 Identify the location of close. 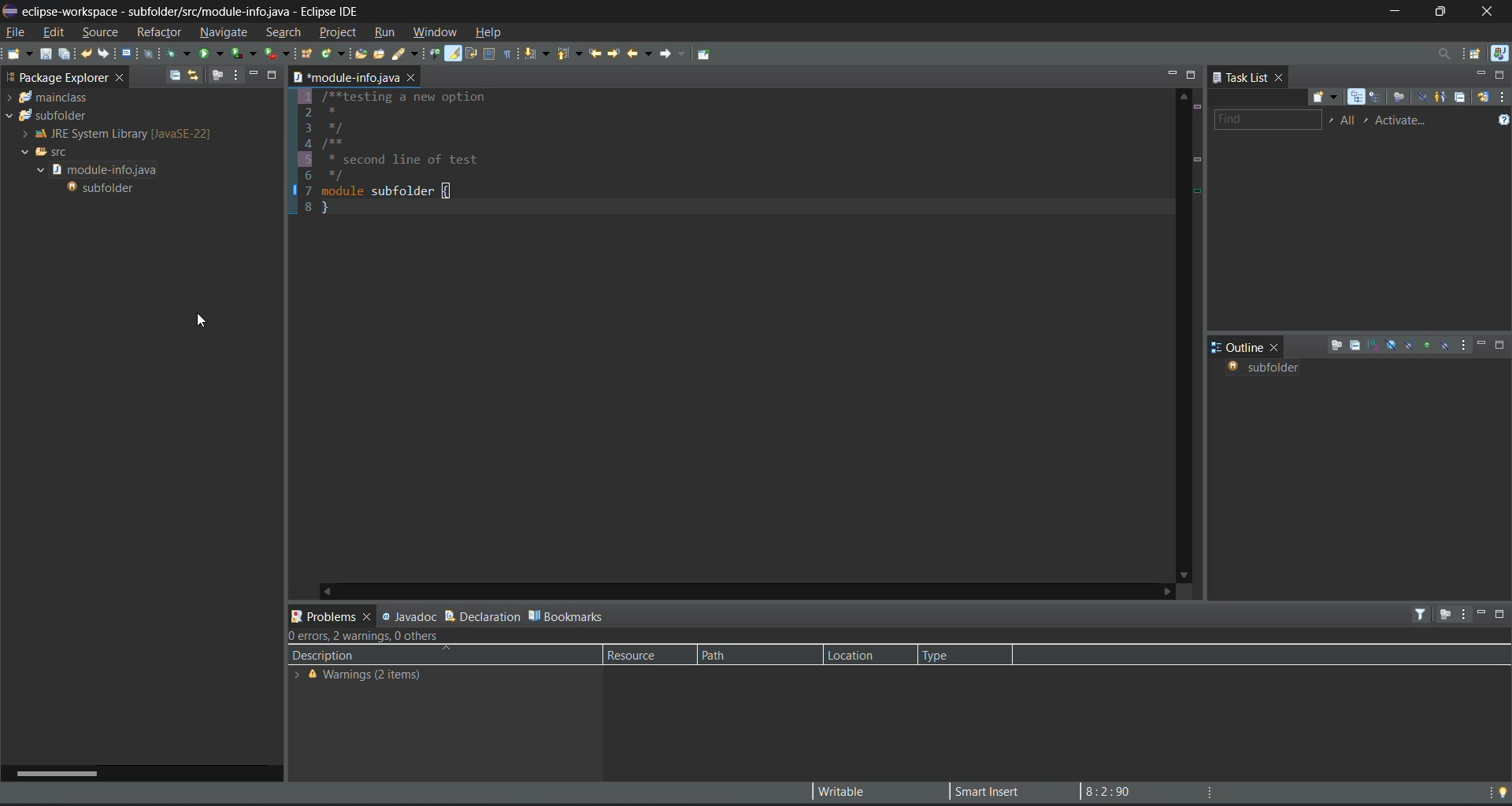
(1278, 347).